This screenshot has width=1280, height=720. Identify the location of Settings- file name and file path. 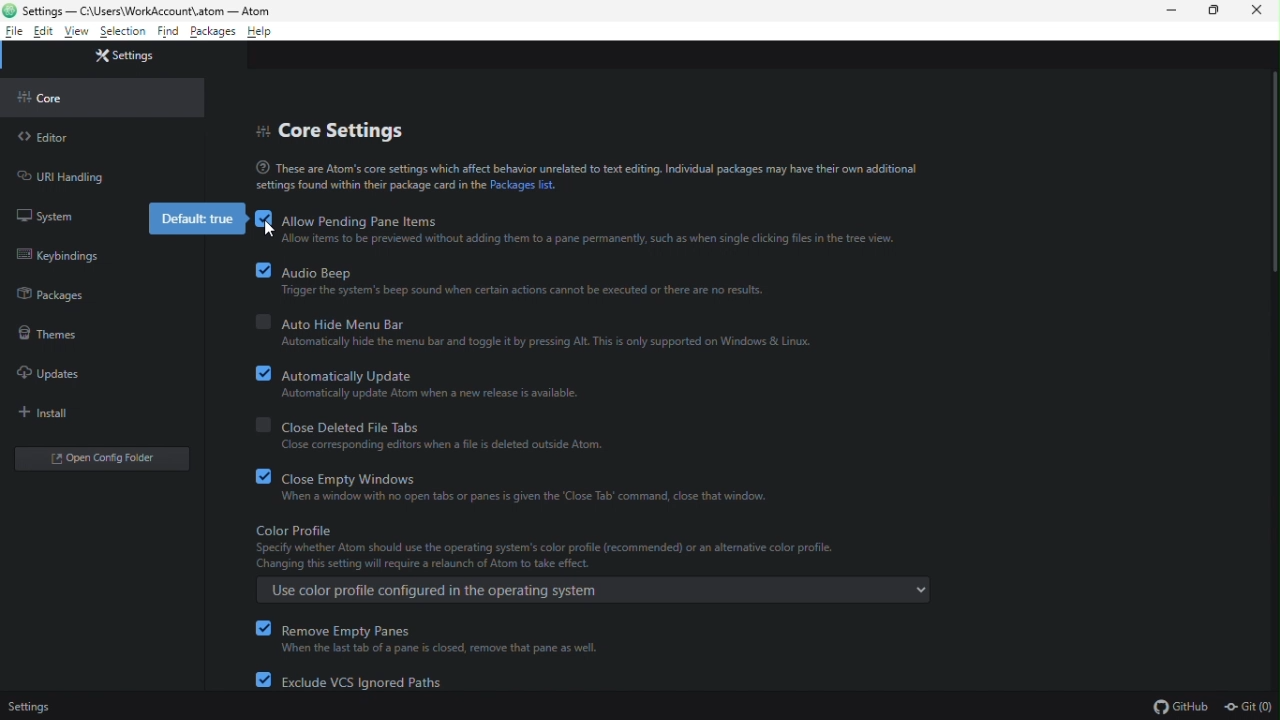
(145, 9).